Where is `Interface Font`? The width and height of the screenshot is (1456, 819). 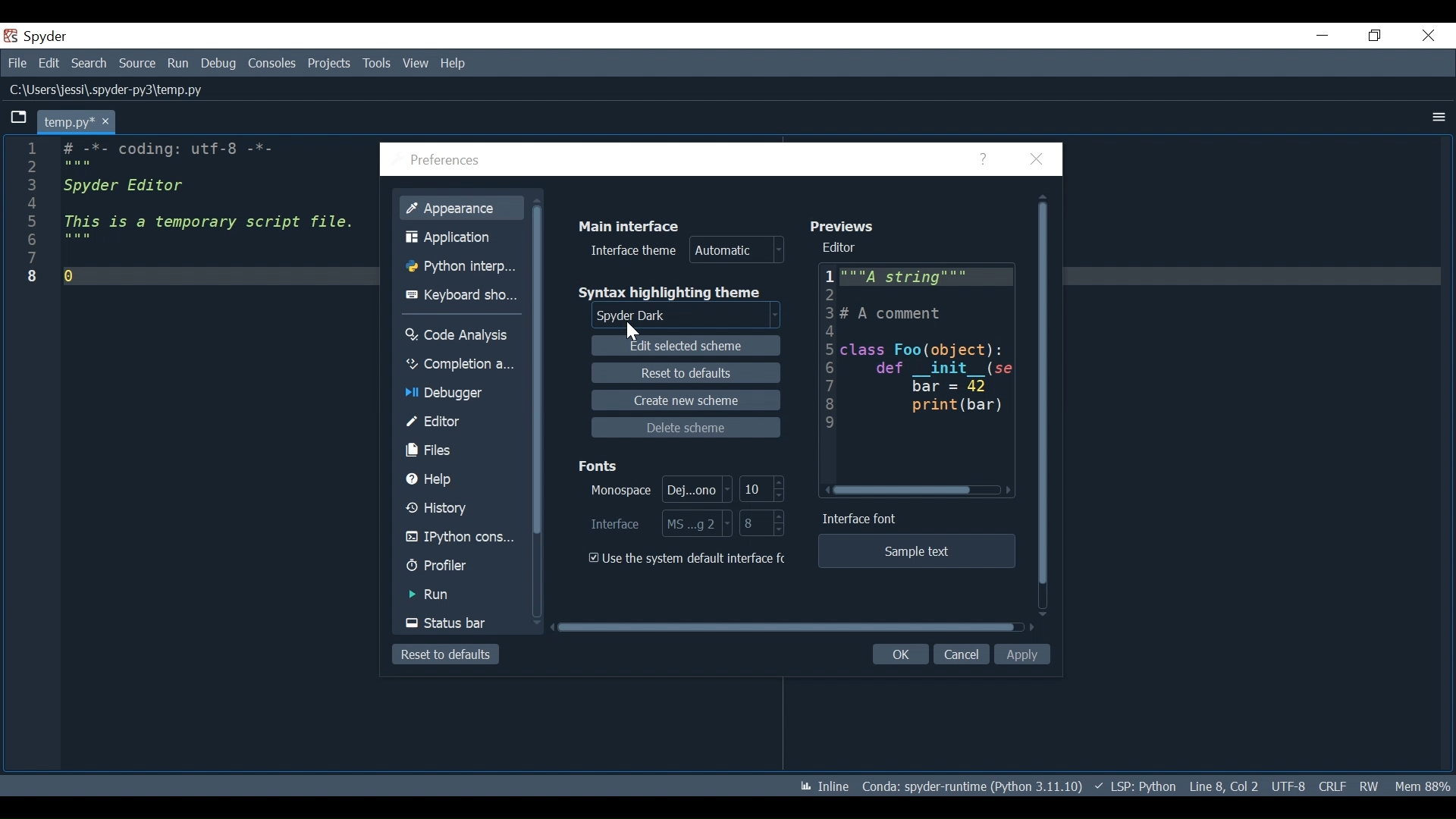 Interface Font is located at coordinates (861, 519).